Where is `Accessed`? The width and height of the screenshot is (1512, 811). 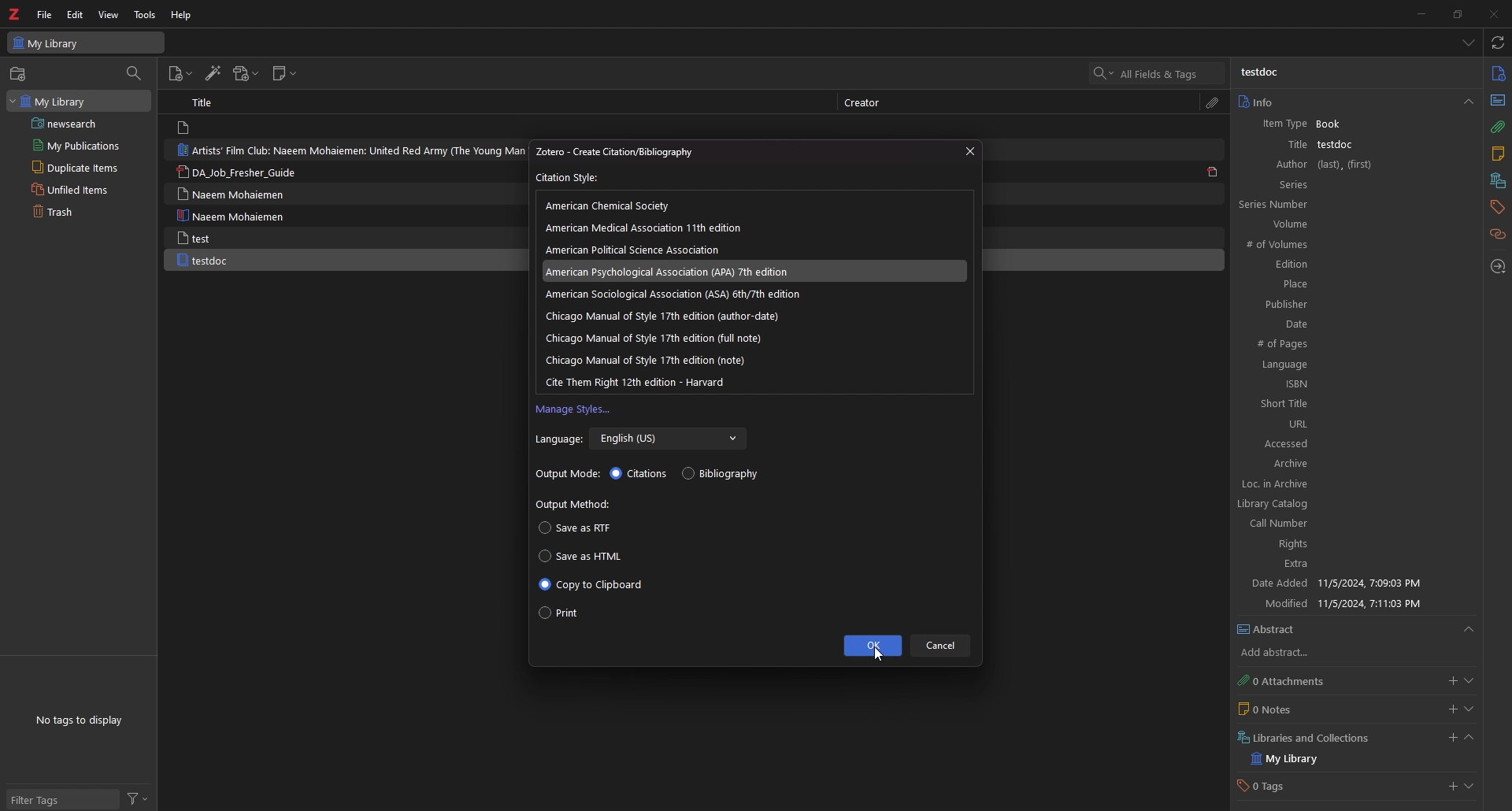 Accessed is located at coordinates (1353, 443).